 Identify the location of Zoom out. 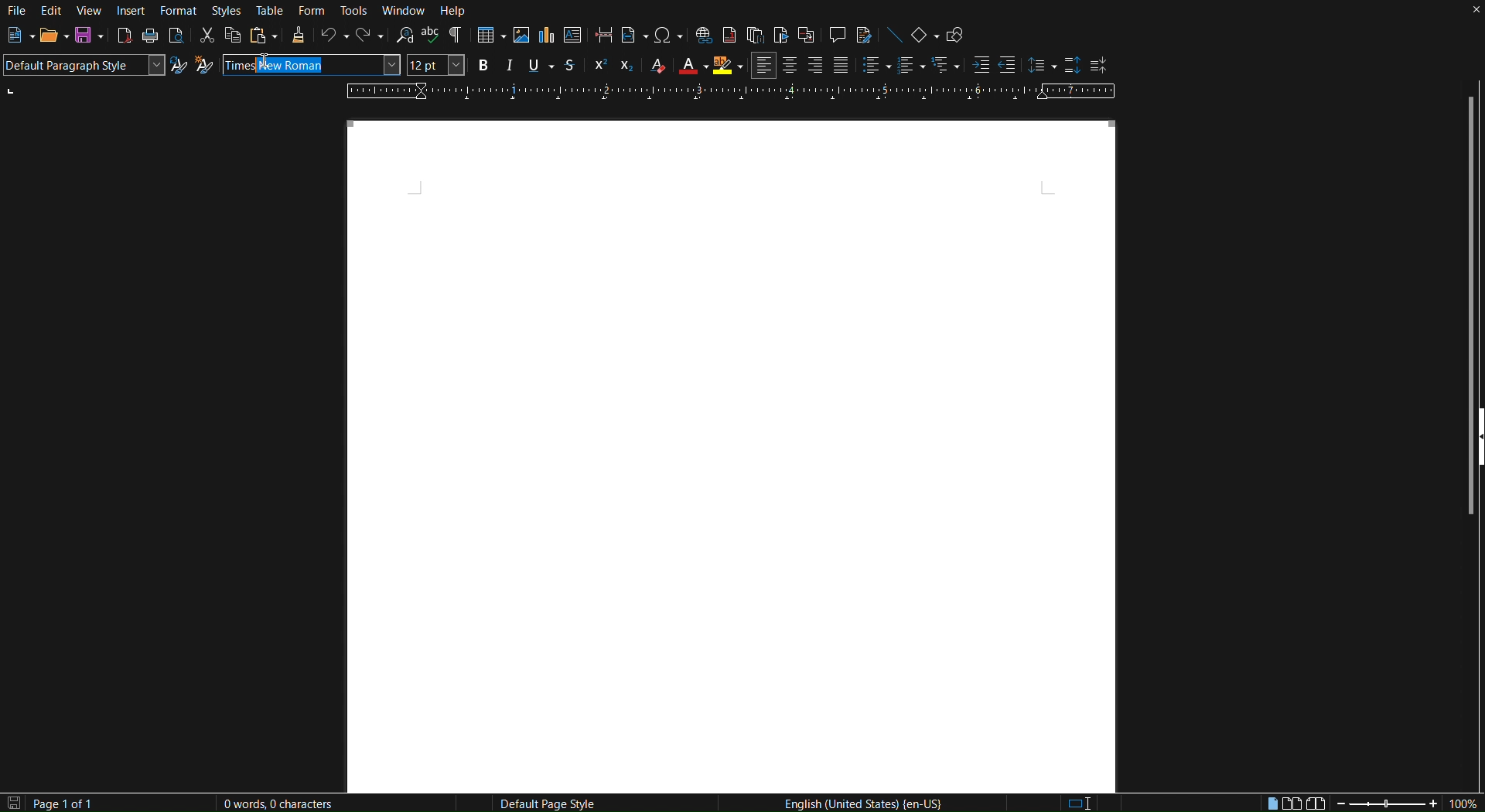
(1342, 803).